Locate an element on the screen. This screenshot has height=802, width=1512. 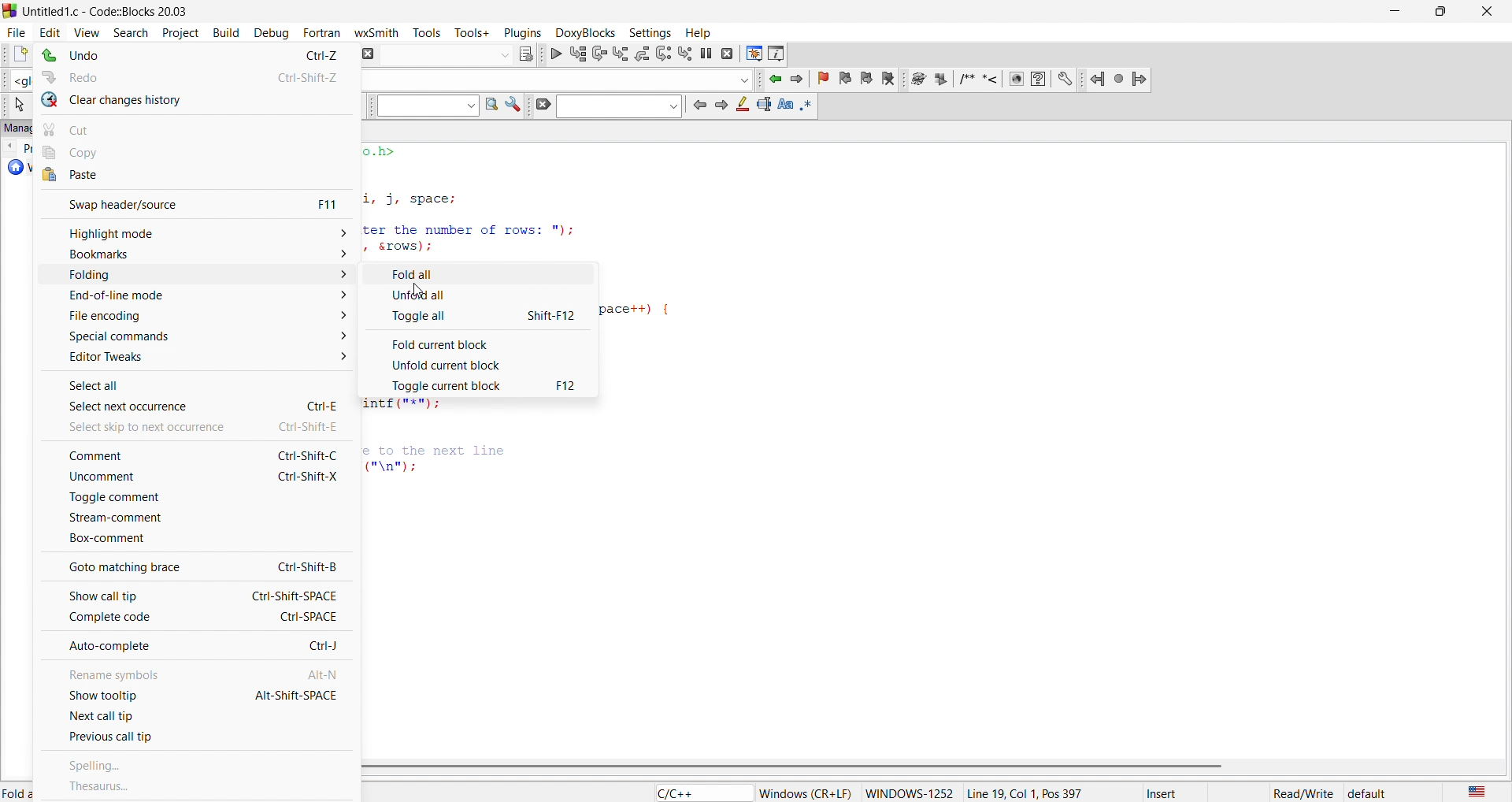
language is located at coordinates (1473, 791).